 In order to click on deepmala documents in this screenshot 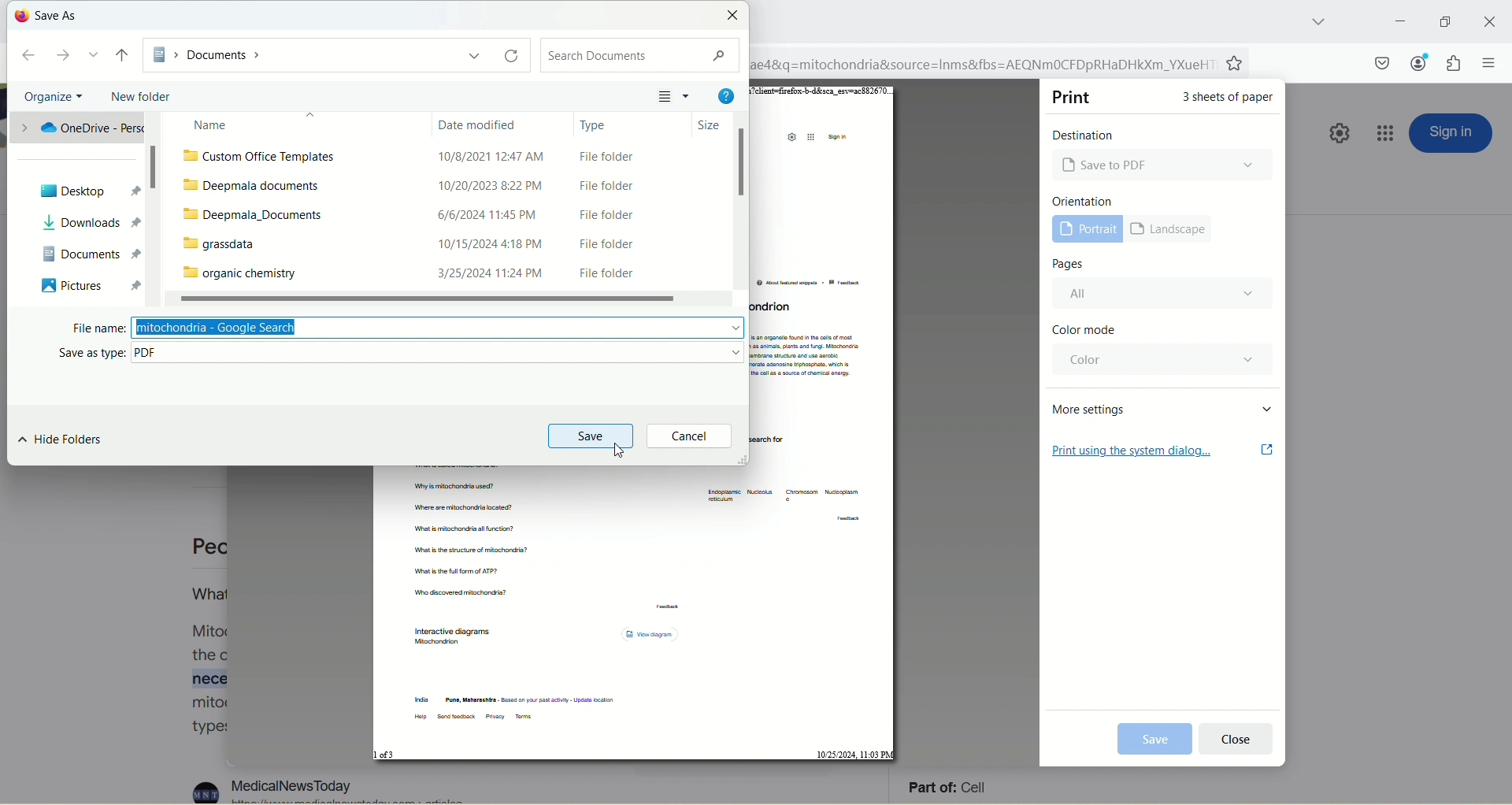, I will do `click(447, 184)`.